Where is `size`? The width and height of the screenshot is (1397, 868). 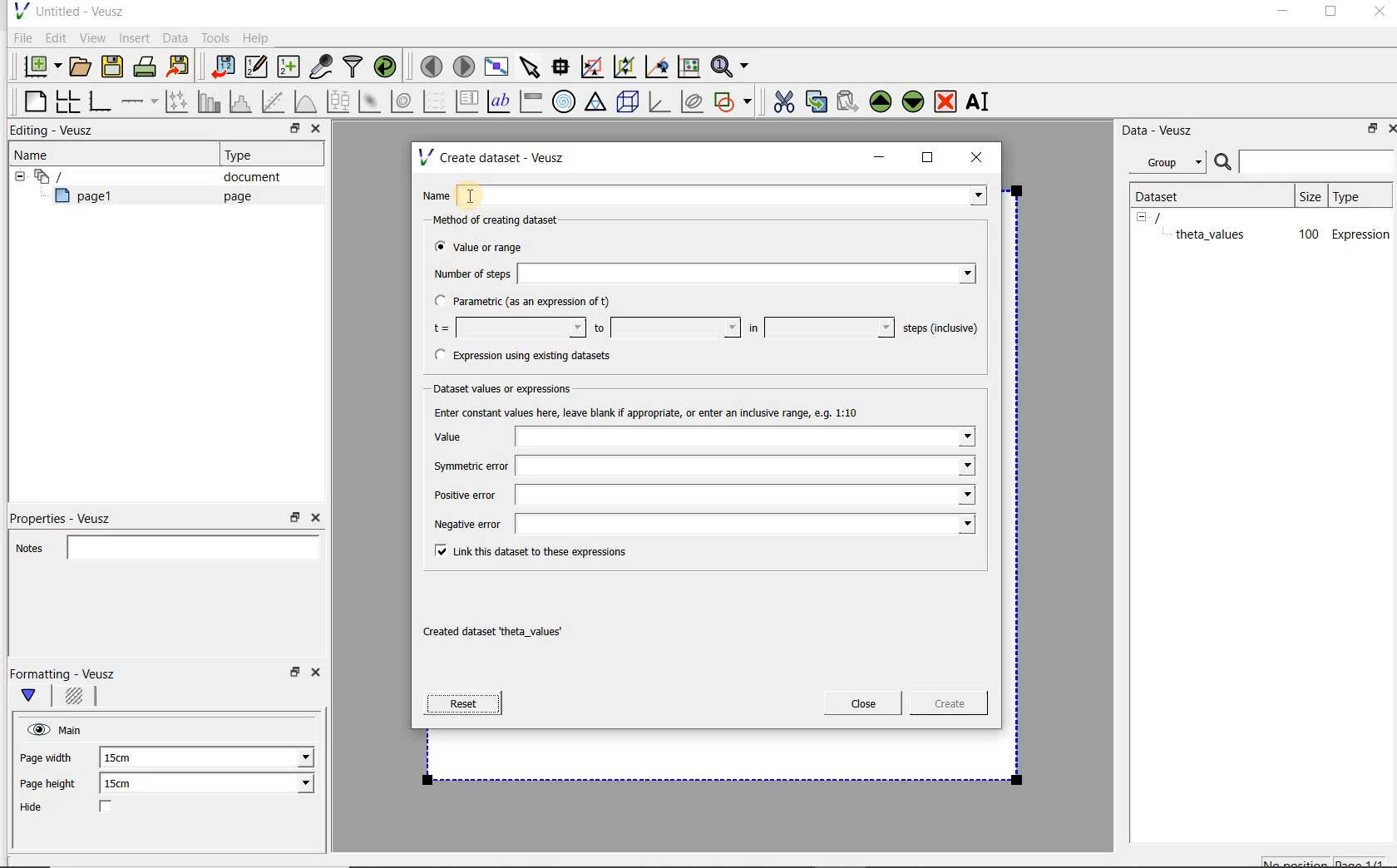 size is located at coordinates (1309, 194).